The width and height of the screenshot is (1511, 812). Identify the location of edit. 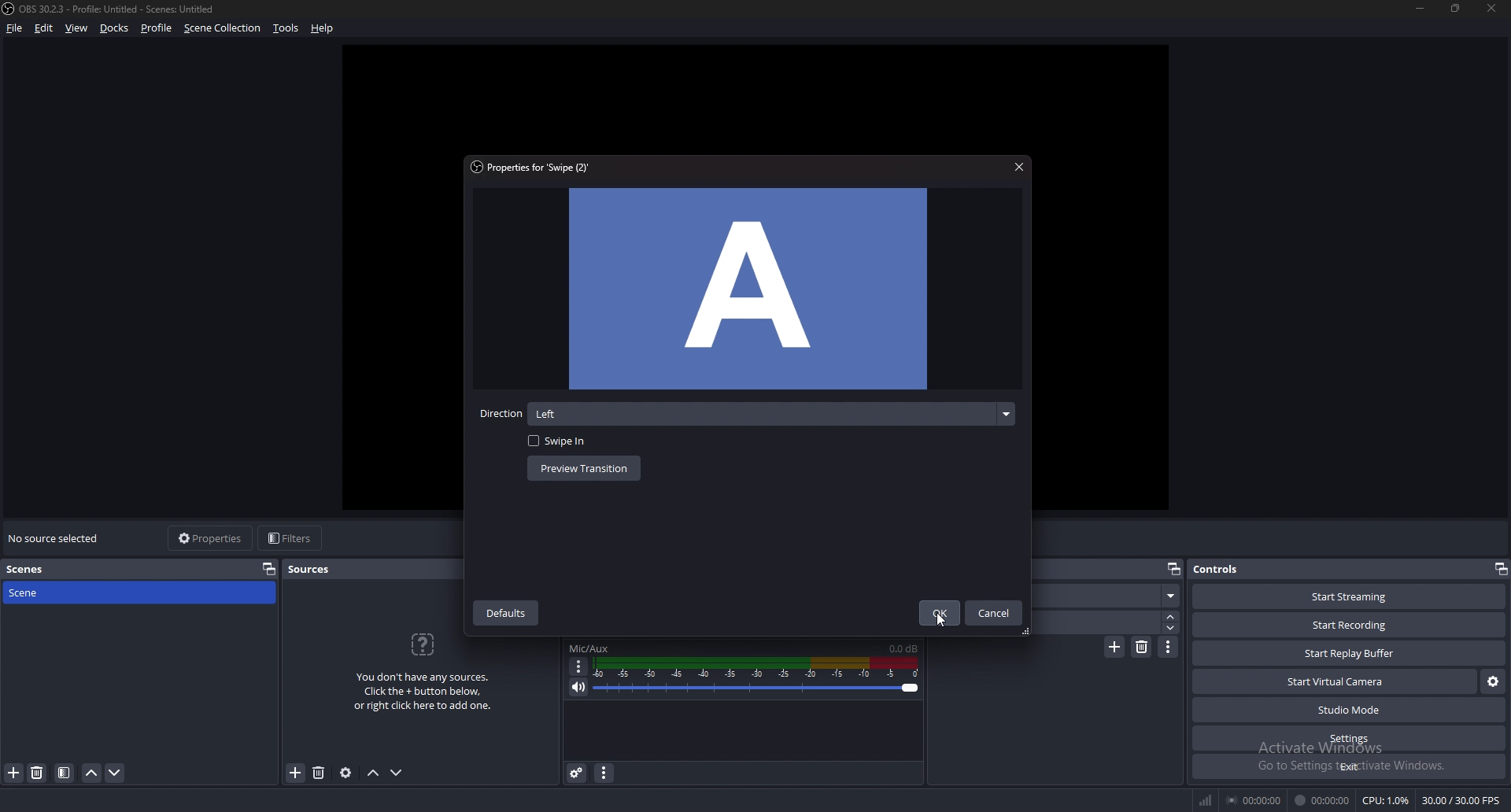
(45, 28).